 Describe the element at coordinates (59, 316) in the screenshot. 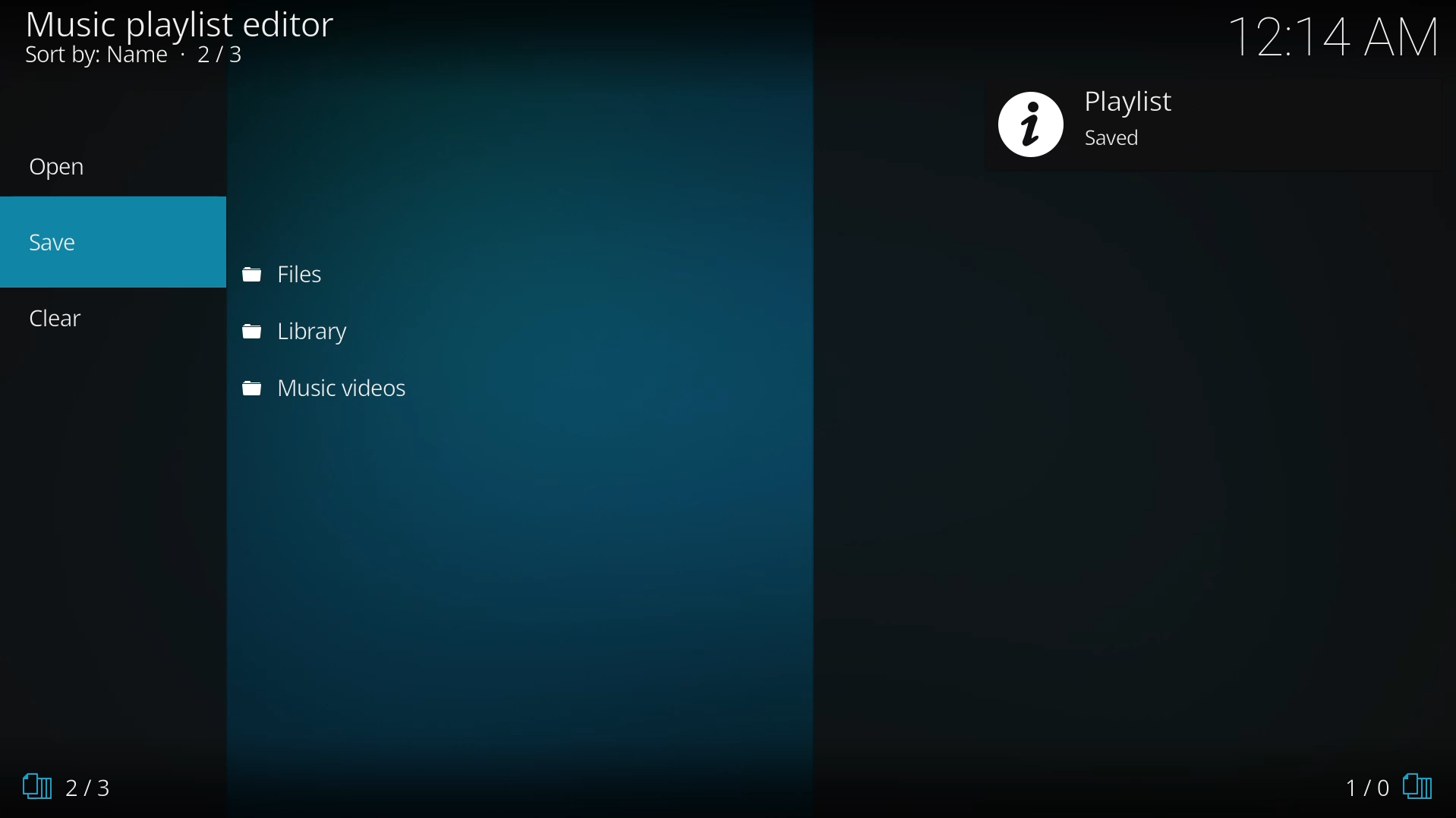

I see `clear` at that location.